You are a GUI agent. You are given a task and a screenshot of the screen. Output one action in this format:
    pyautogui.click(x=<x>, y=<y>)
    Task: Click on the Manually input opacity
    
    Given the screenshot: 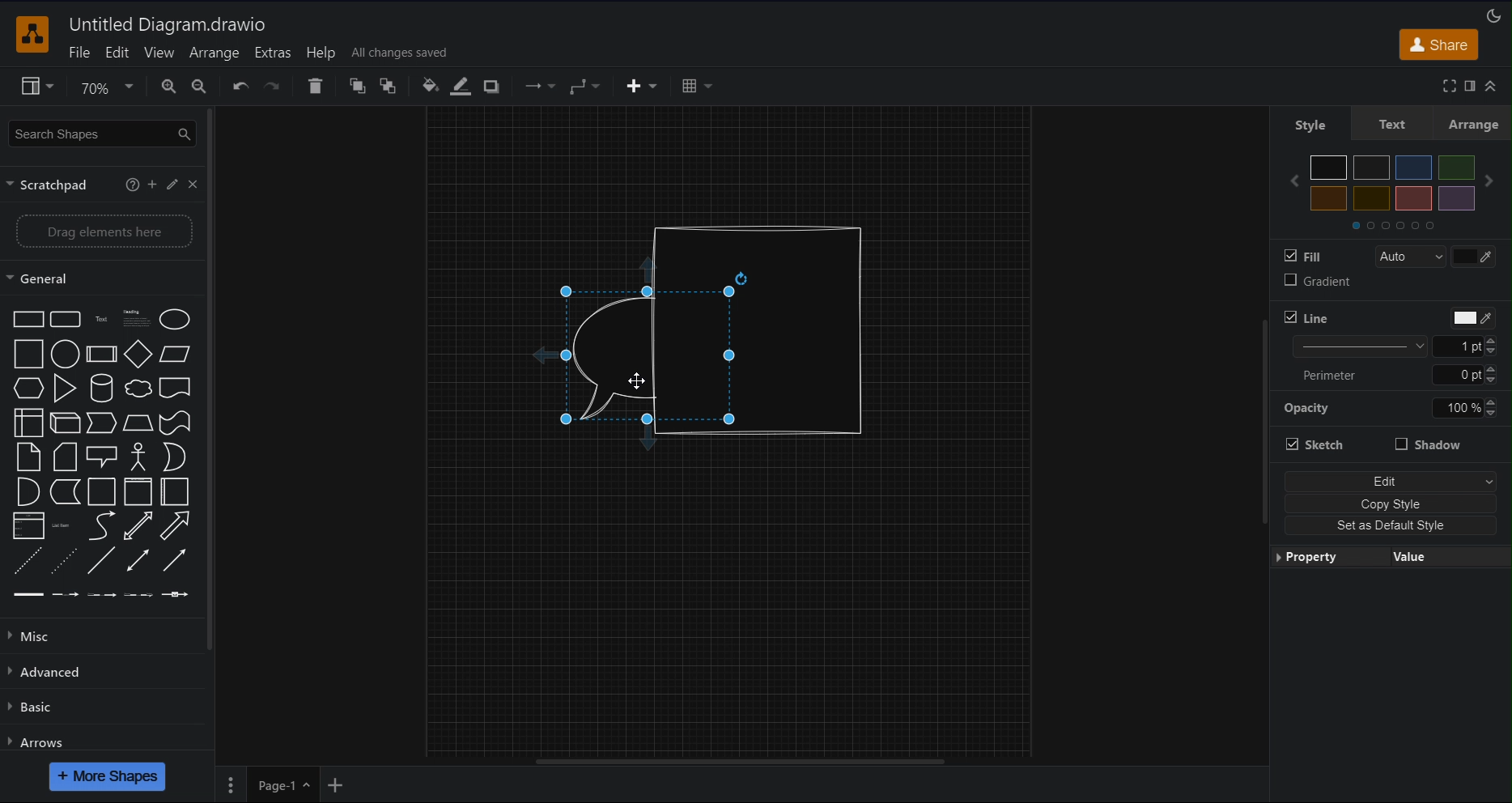 What is the action you would take?
    pyautogui.click(x=1456, y=407)
    